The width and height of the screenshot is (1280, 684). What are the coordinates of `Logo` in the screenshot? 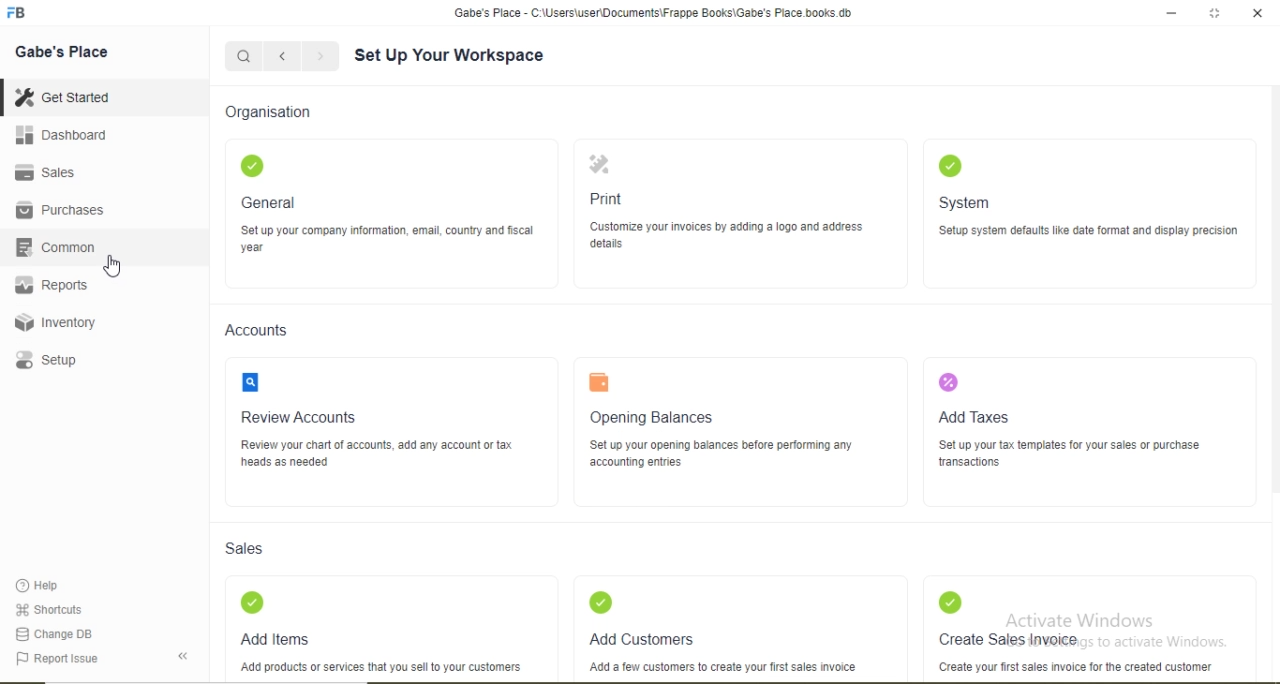 It's located at (598, 164).